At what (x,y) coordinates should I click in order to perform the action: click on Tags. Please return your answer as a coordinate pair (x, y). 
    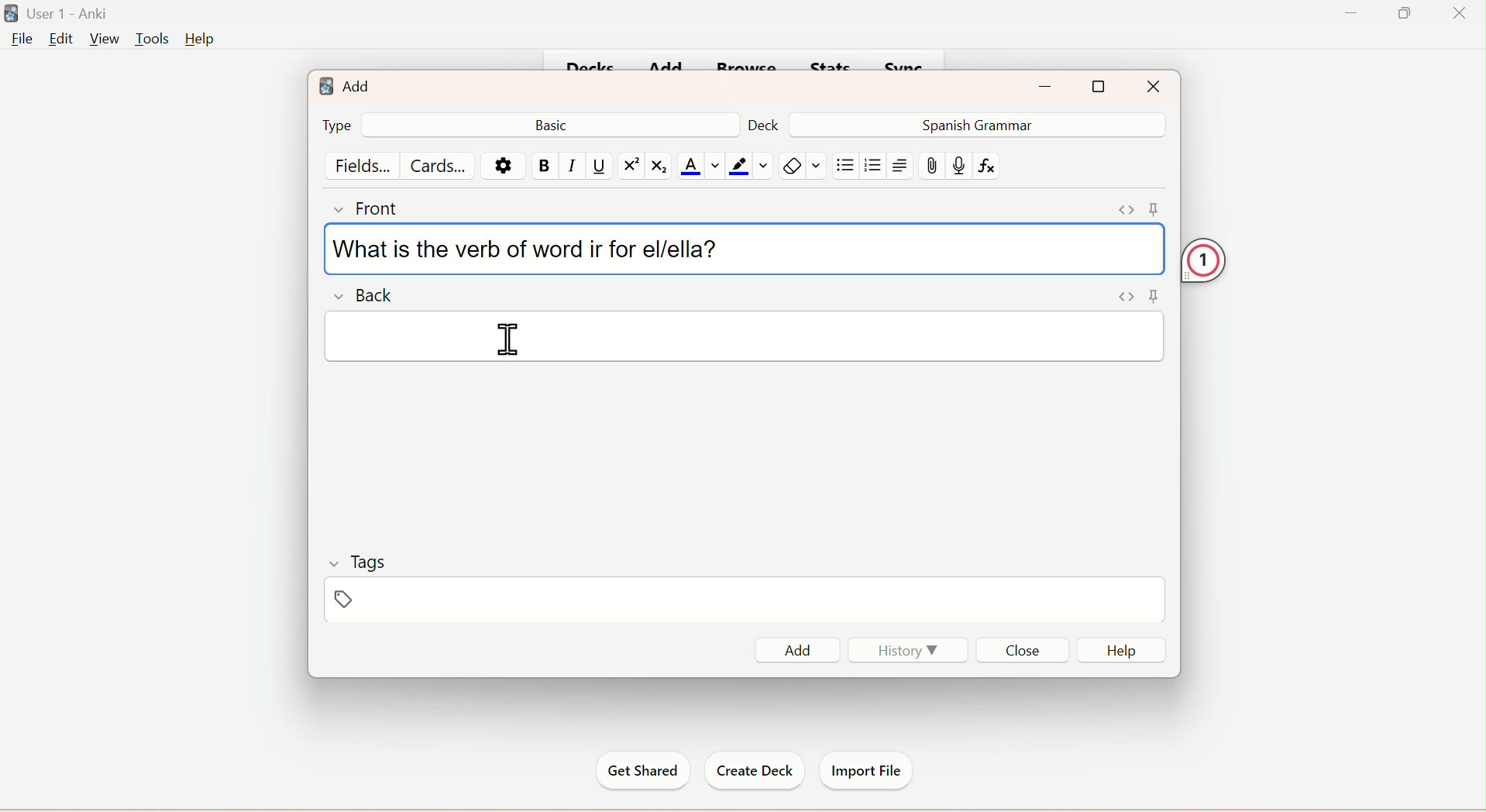
    Looking at the image, I should click on (356, 562).